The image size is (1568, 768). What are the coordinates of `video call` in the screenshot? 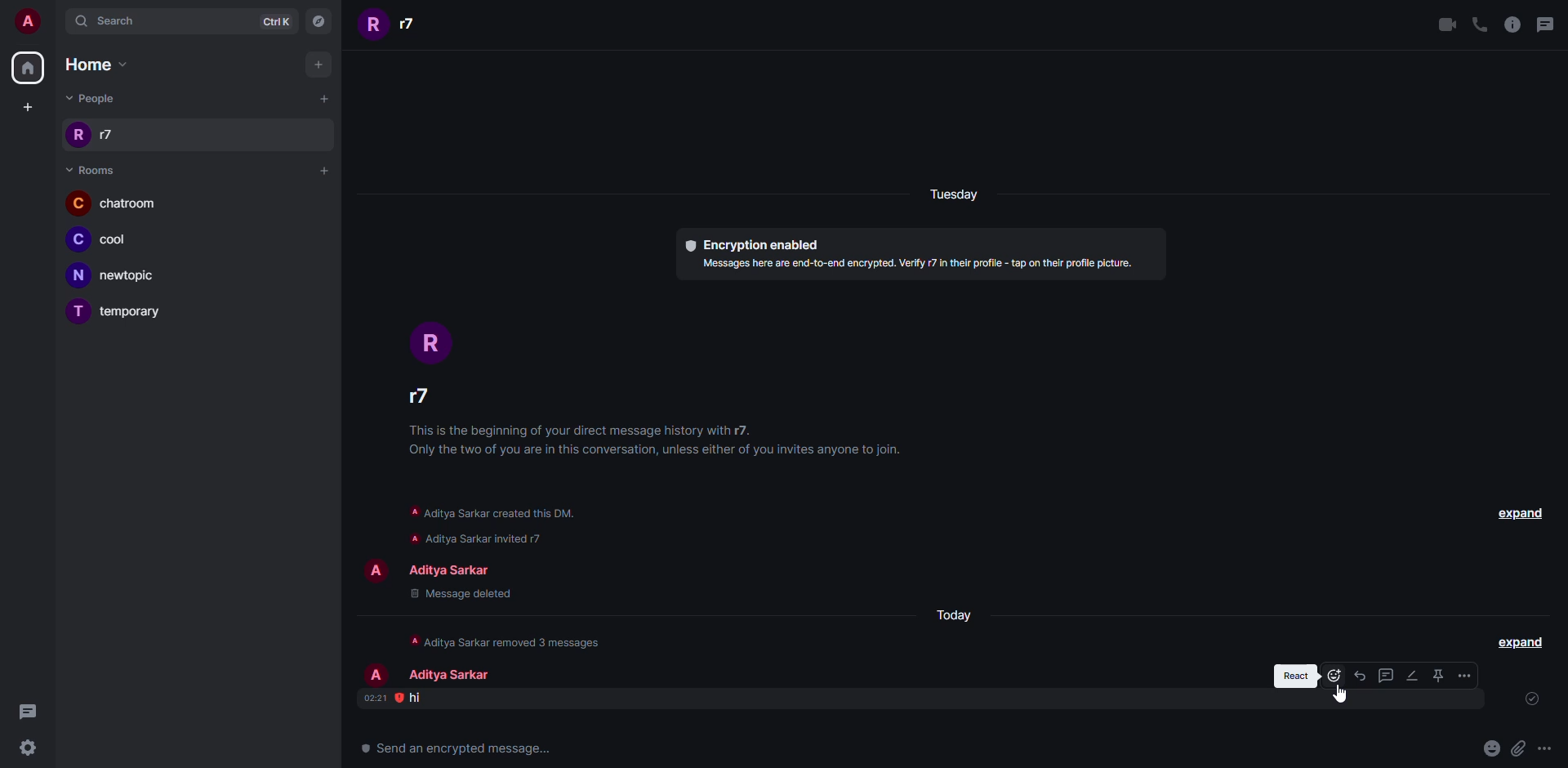 It's located at (1447, 24).